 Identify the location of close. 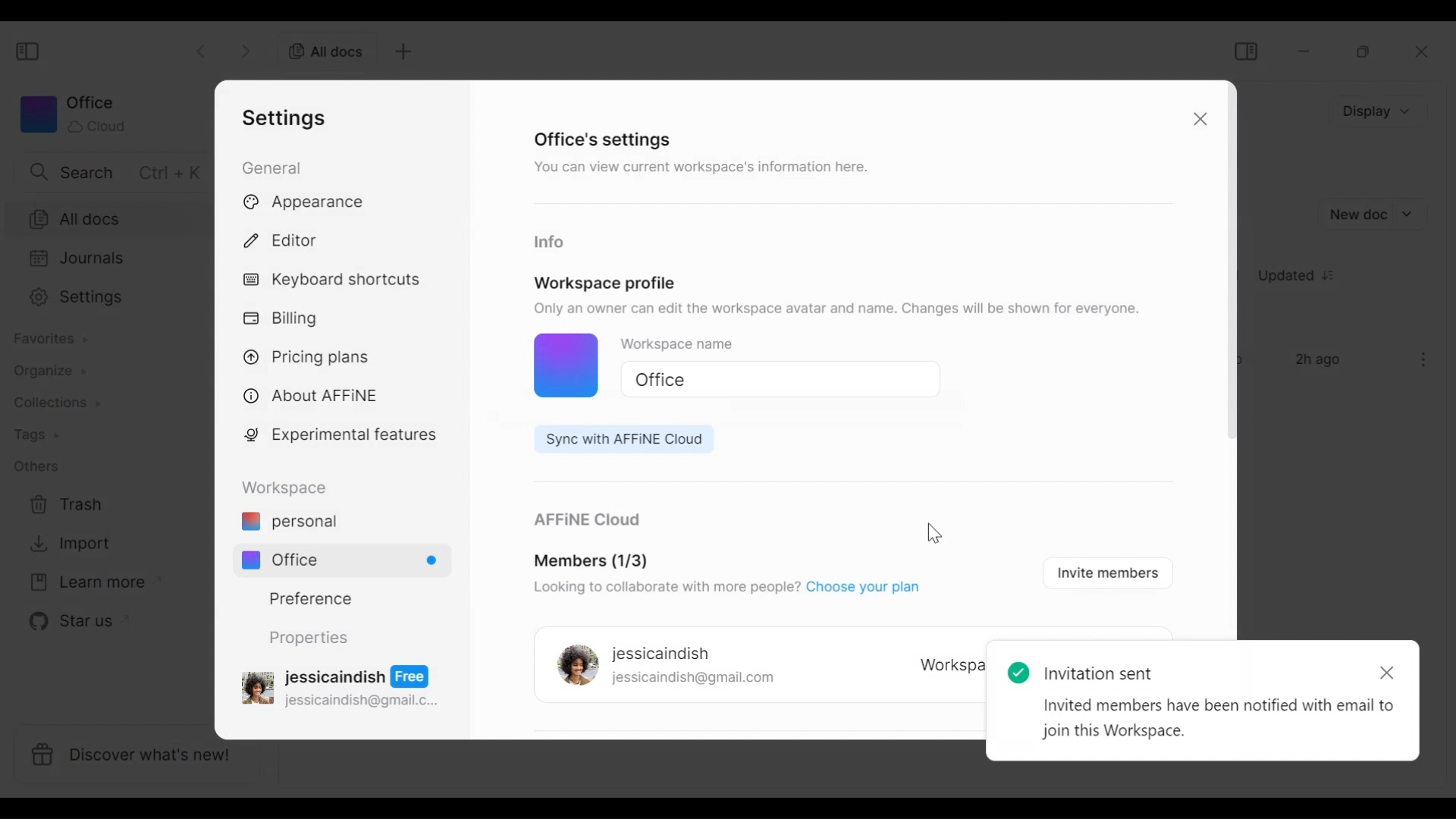
(1426, 52).